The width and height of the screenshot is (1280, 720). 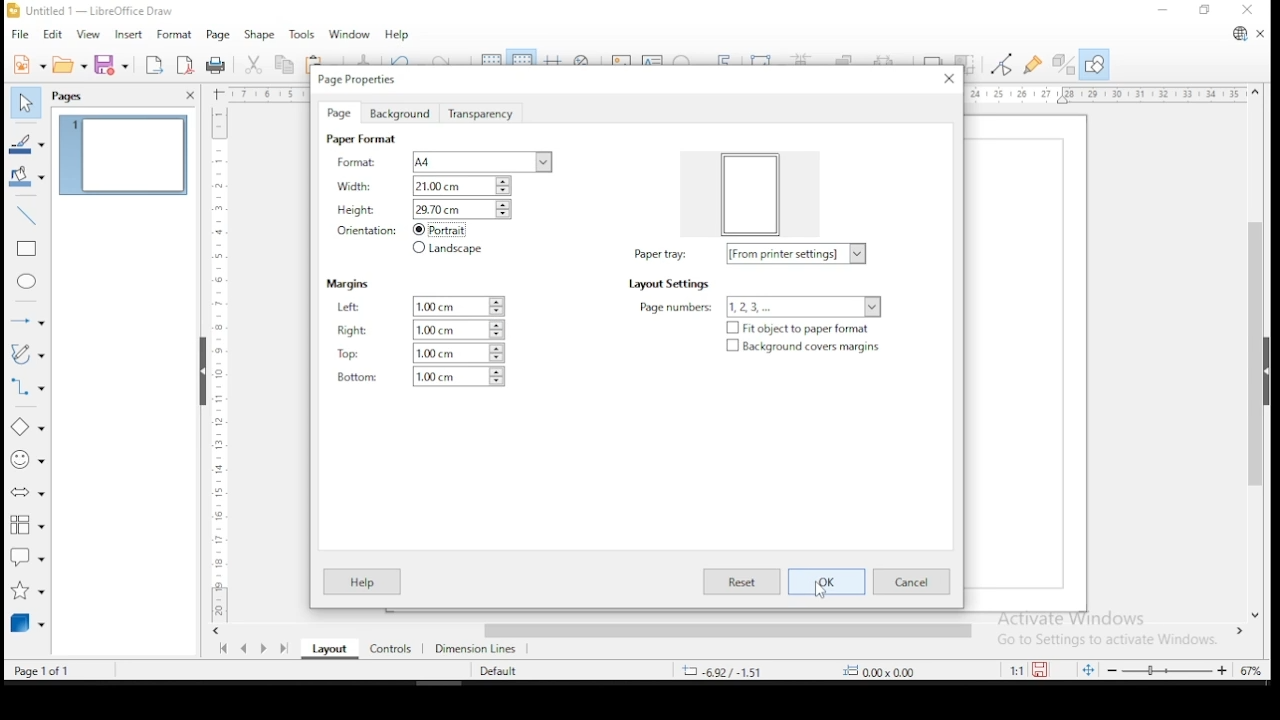 I want to click on preview, so click(x=752, y=192).